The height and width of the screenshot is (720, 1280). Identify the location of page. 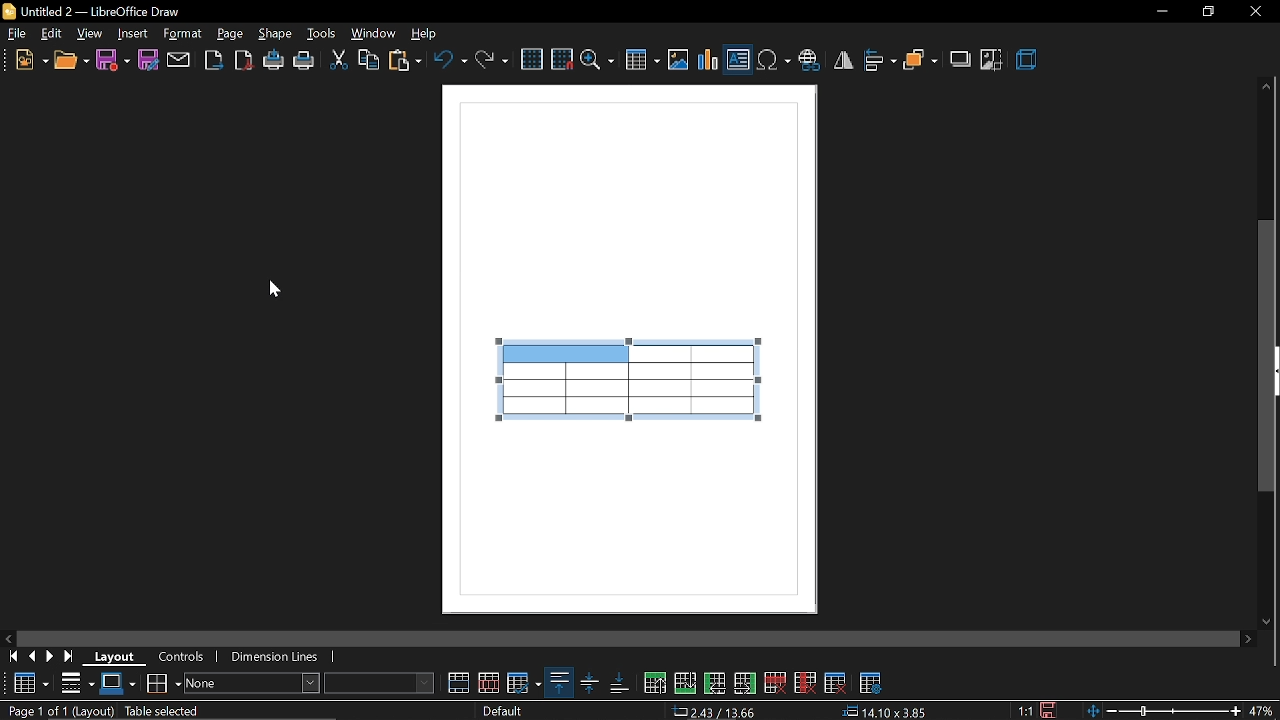
(230, 30).